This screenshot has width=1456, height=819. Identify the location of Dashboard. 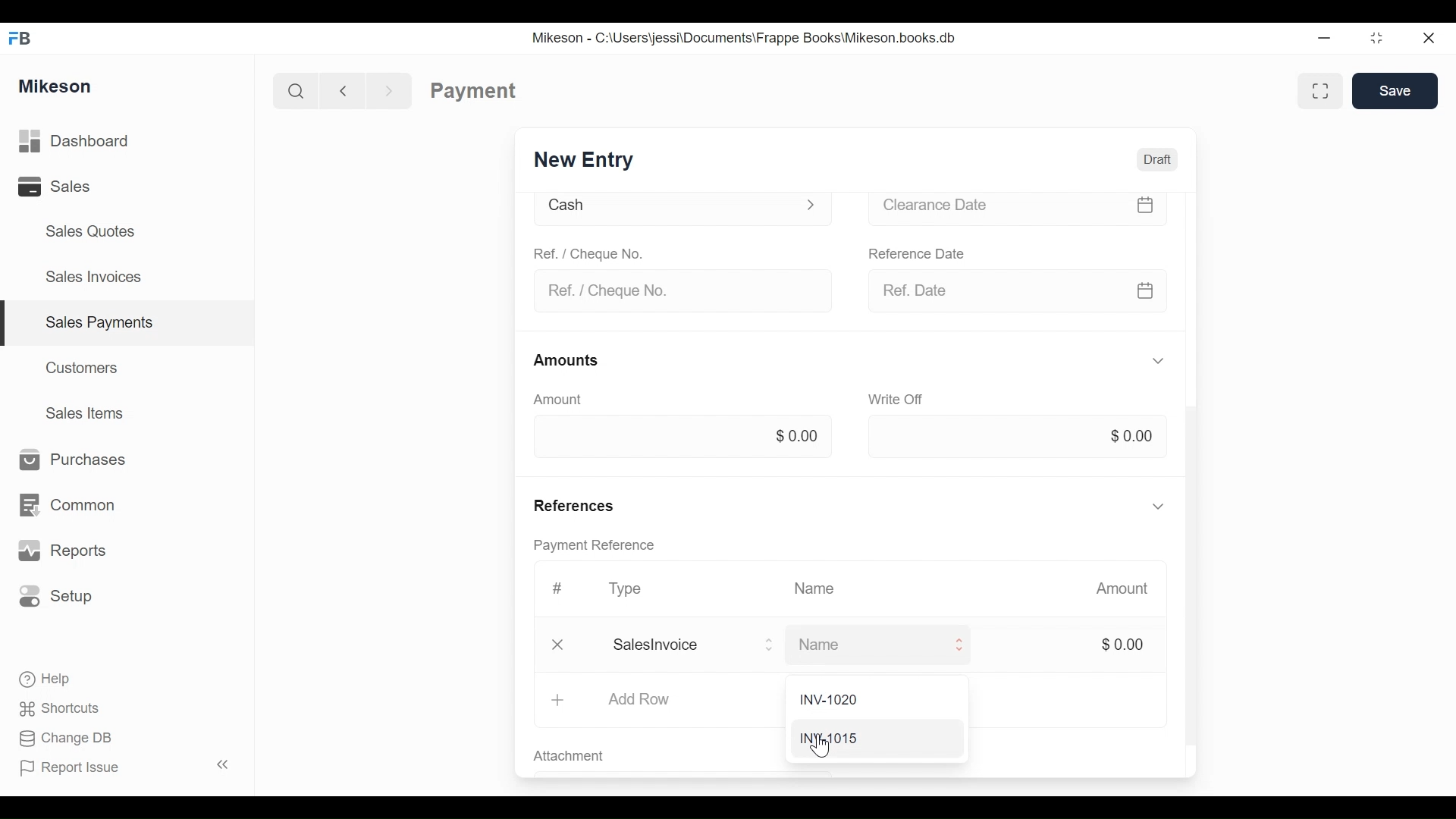
(99, 142).